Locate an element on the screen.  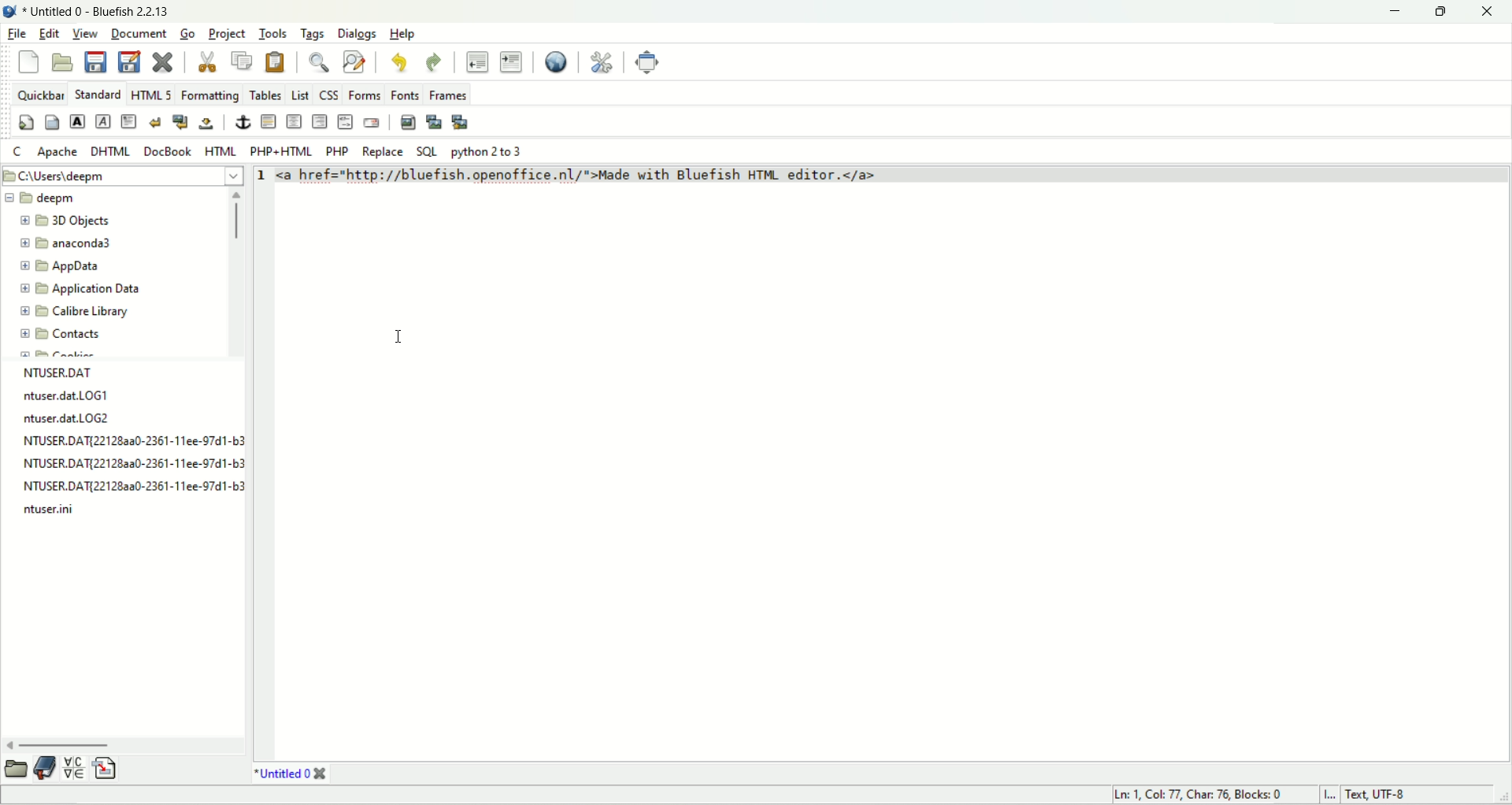
tools is located at coordinates (272, 33).